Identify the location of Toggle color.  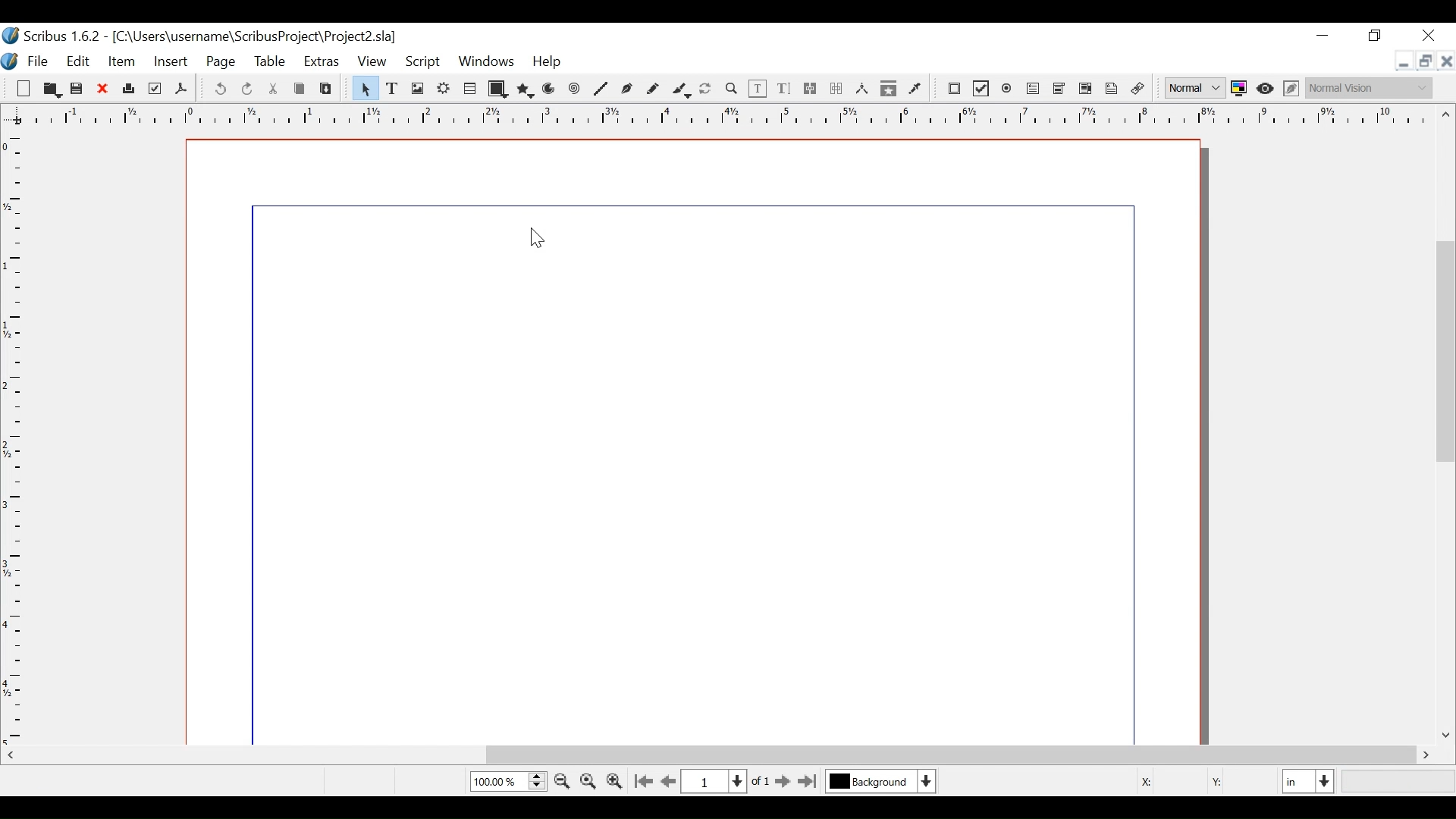
(1243, 88).